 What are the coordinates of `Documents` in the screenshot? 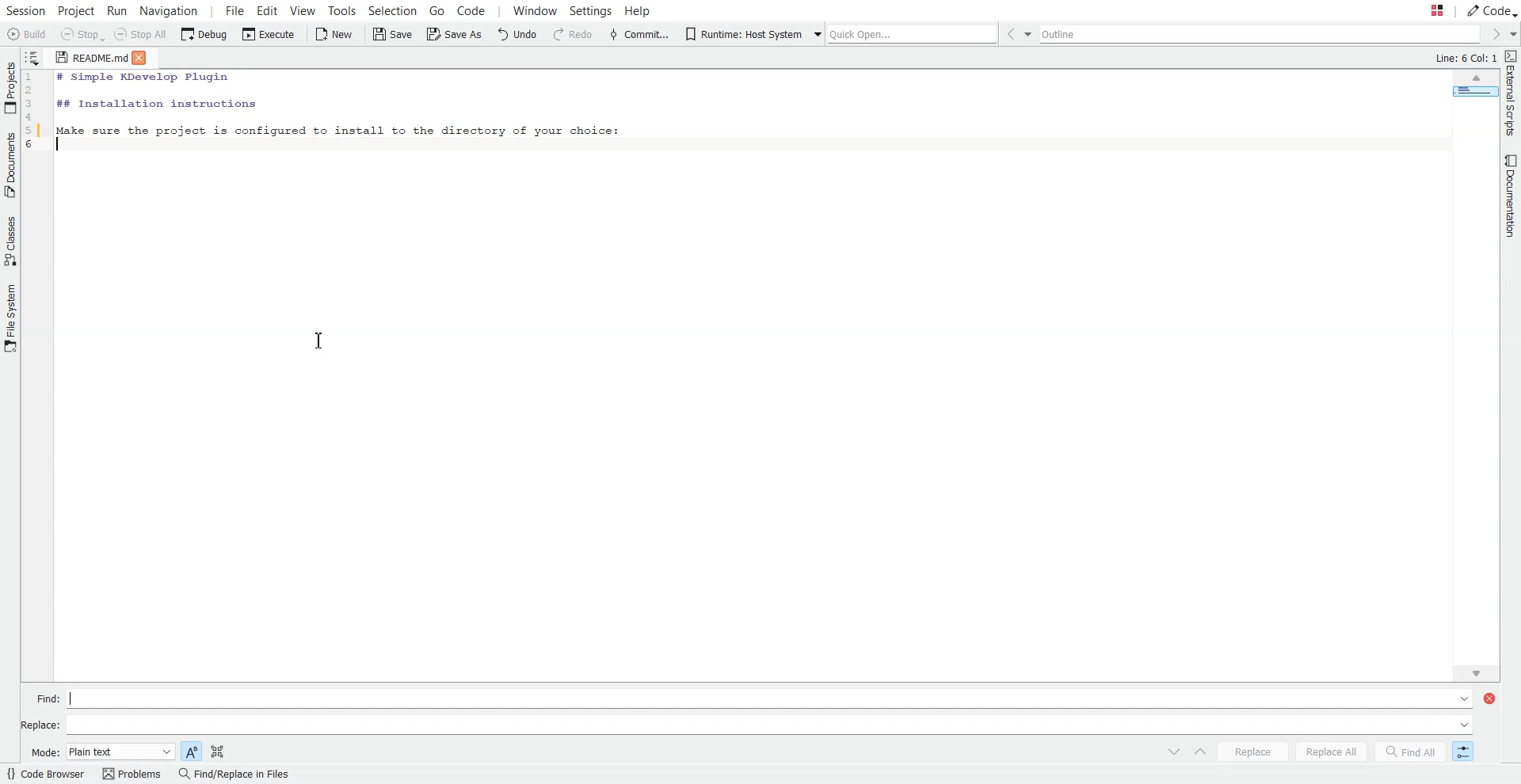 It's located at (10, 165).